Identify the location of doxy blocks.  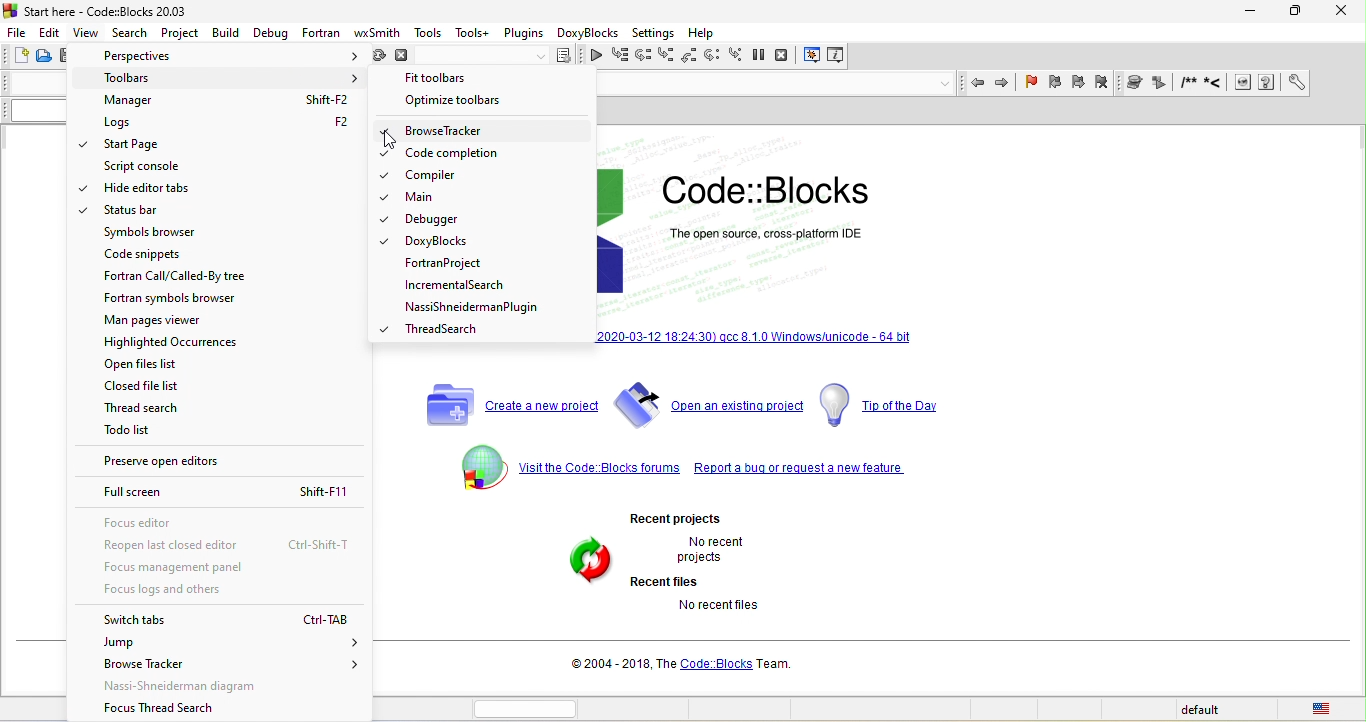
(424, 243).